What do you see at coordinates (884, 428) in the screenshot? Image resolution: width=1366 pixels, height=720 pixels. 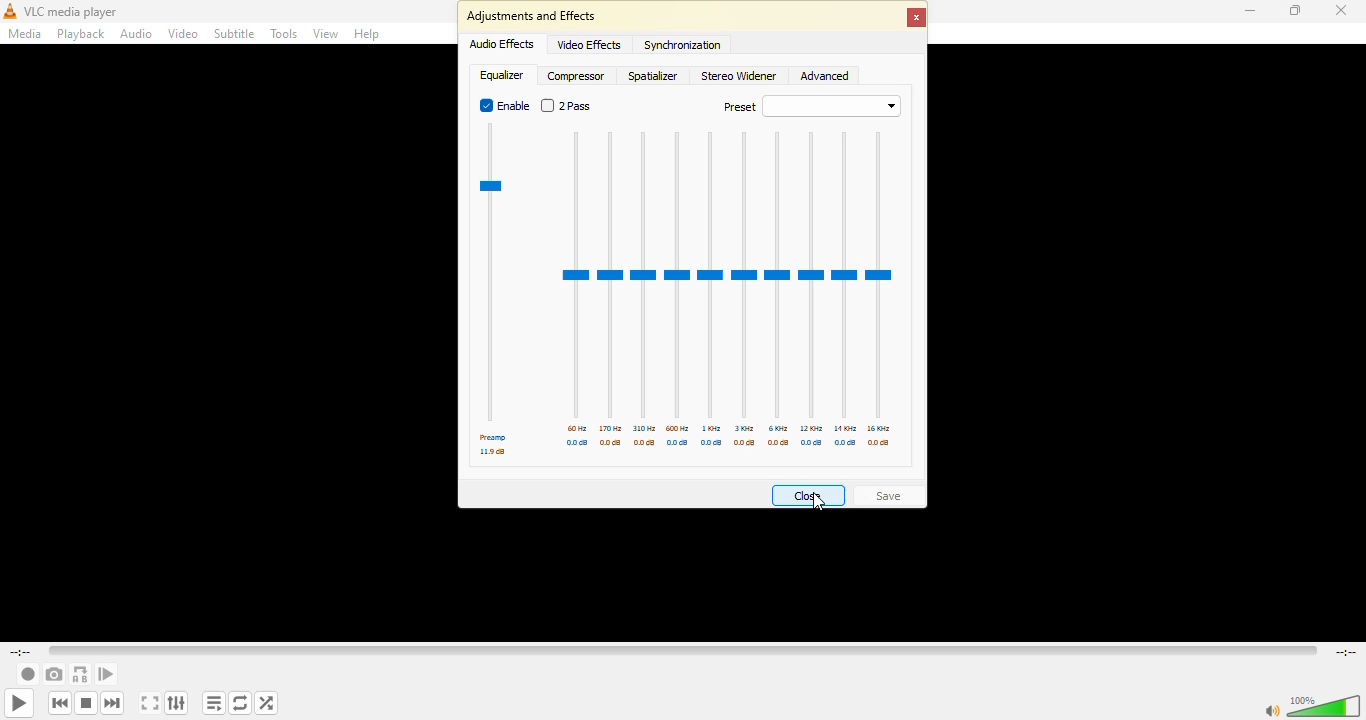 I see `16 khz` at bounding box center [884, 428].